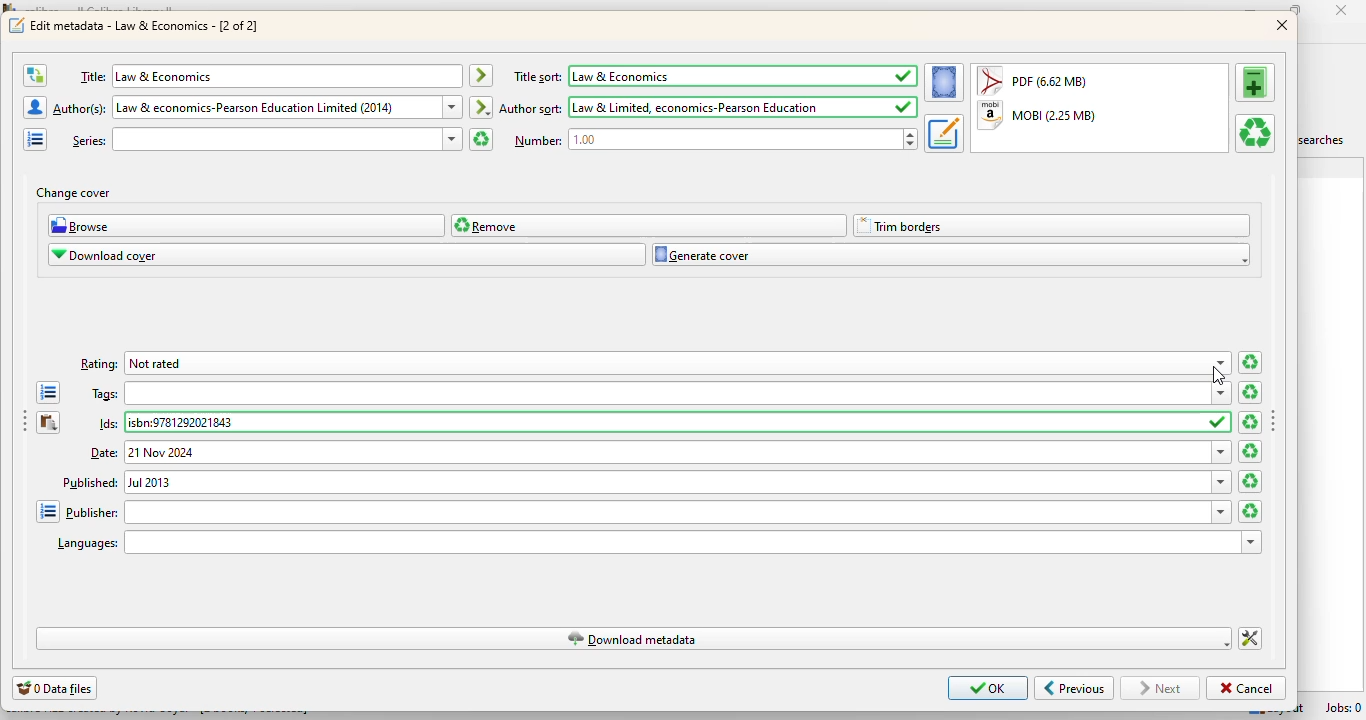 This screenshot has width=1366, height=720. Describe the element at coordinates (1249, 392) in the screenshot. I see `clear all tags` at that location.